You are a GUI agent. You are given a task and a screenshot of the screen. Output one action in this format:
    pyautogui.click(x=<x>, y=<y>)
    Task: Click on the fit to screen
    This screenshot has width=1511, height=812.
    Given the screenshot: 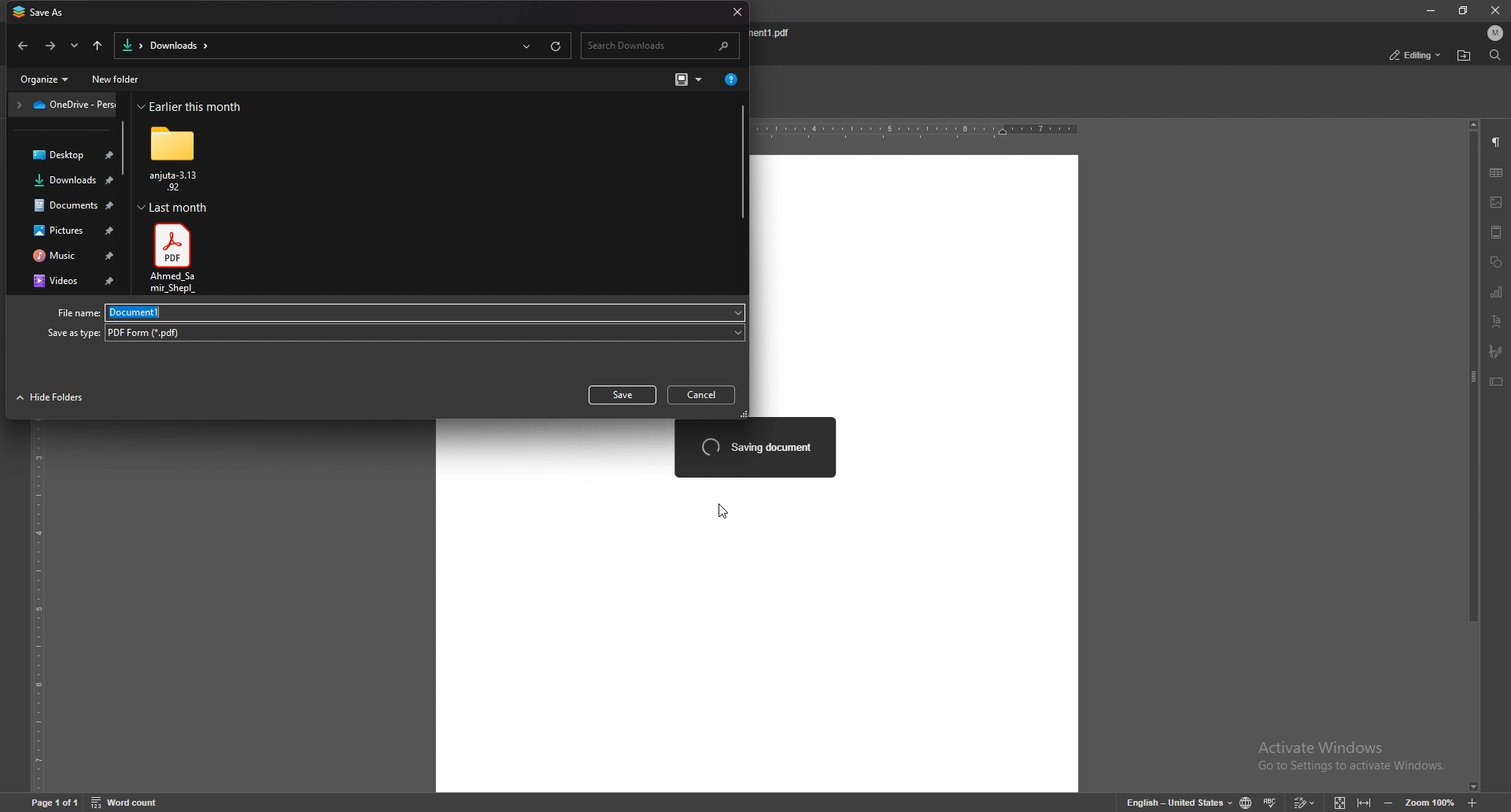 What is the action you would take?
    pyautogui.click(x=1340, y=802)
    